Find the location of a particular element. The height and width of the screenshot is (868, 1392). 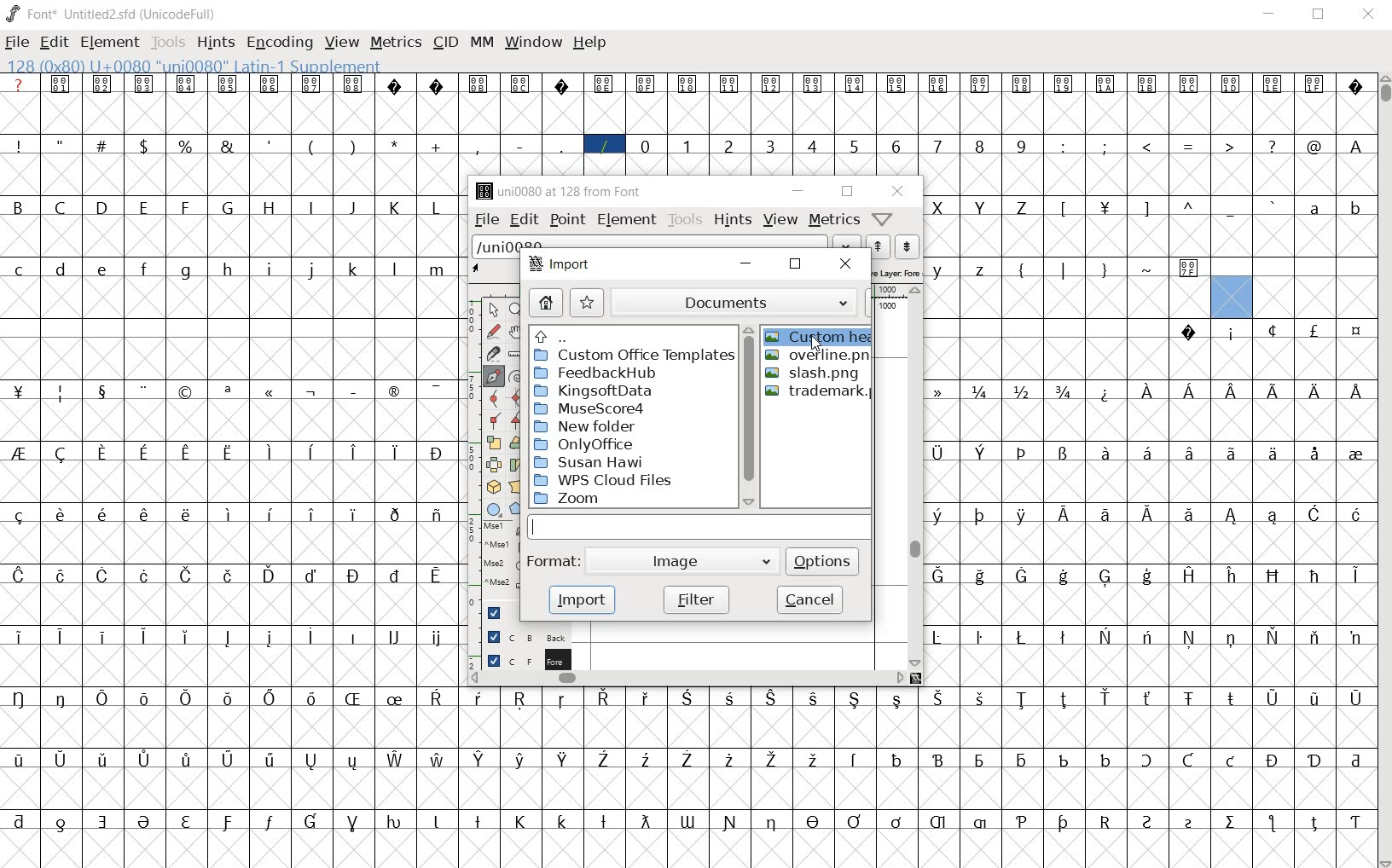

glyph is located at coordinates (61, 394).